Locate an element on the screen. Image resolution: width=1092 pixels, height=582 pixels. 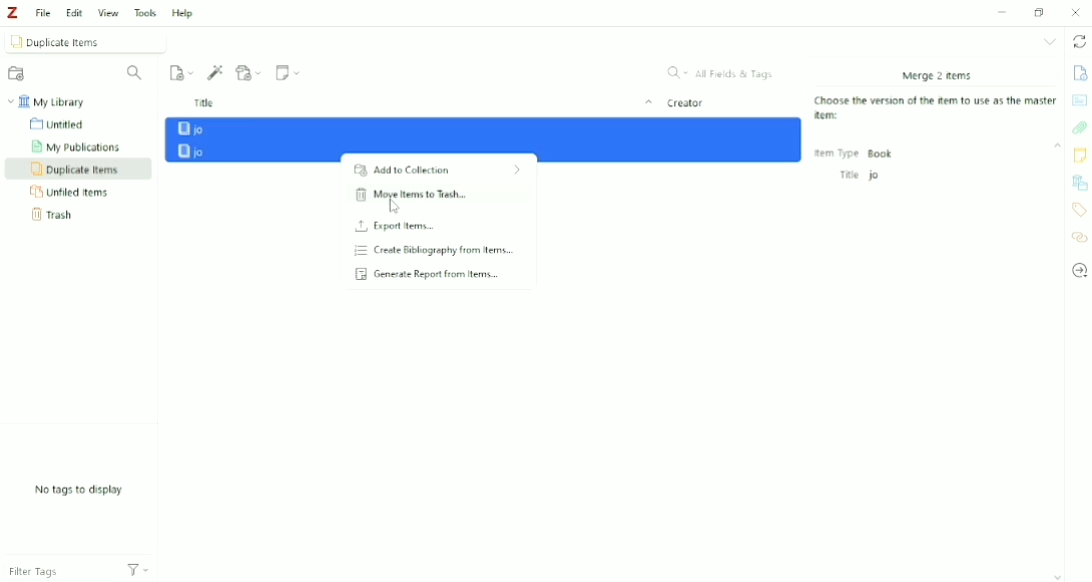
Close is located at coordinates (1075, 13).